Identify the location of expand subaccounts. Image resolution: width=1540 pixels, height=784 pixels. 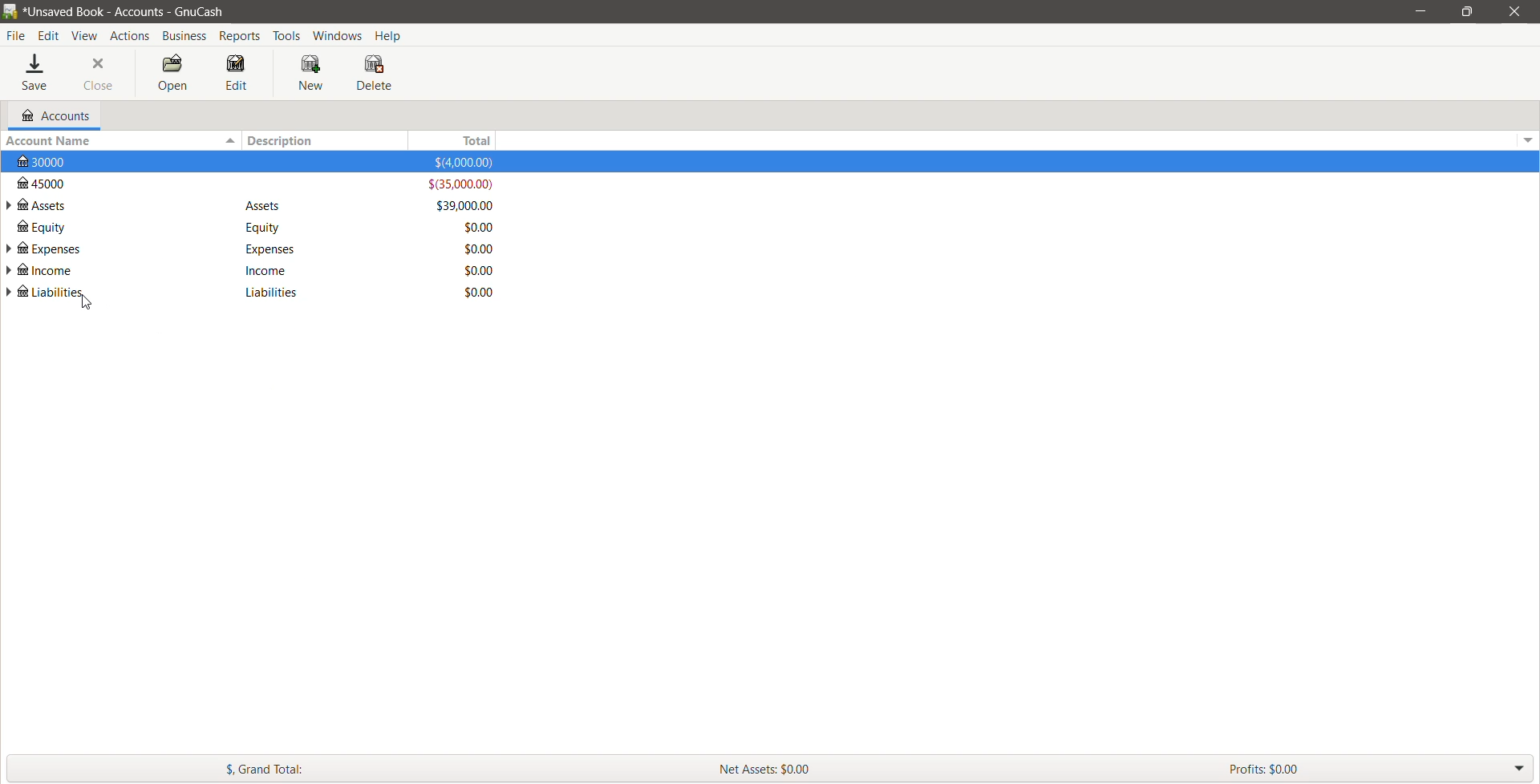
(10, 206).